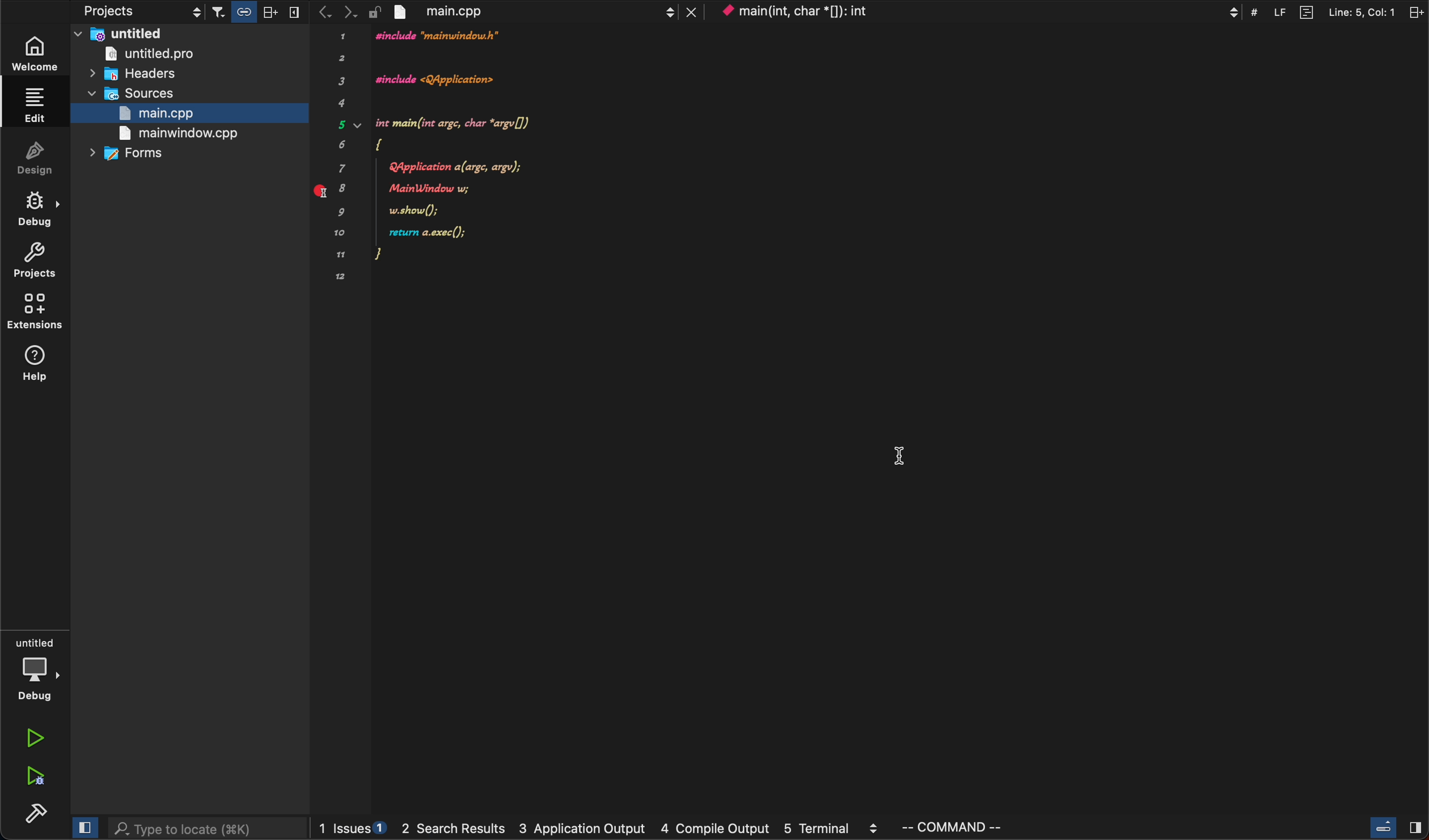 The height and width of the screenshot is (840, 1429). What do you see at coordinates (113, 11) in the screenshot?
I see `projects` at bounding box center [113, 11].